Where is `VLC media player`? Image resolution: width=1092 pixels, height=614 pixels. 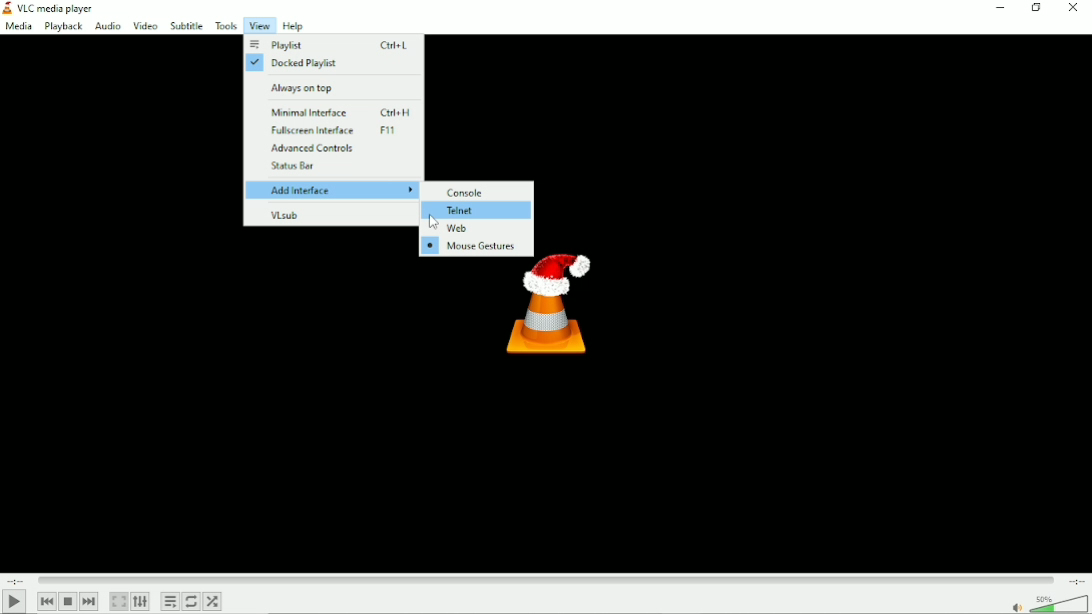
VLC media player is located at coordinates (56, 9).